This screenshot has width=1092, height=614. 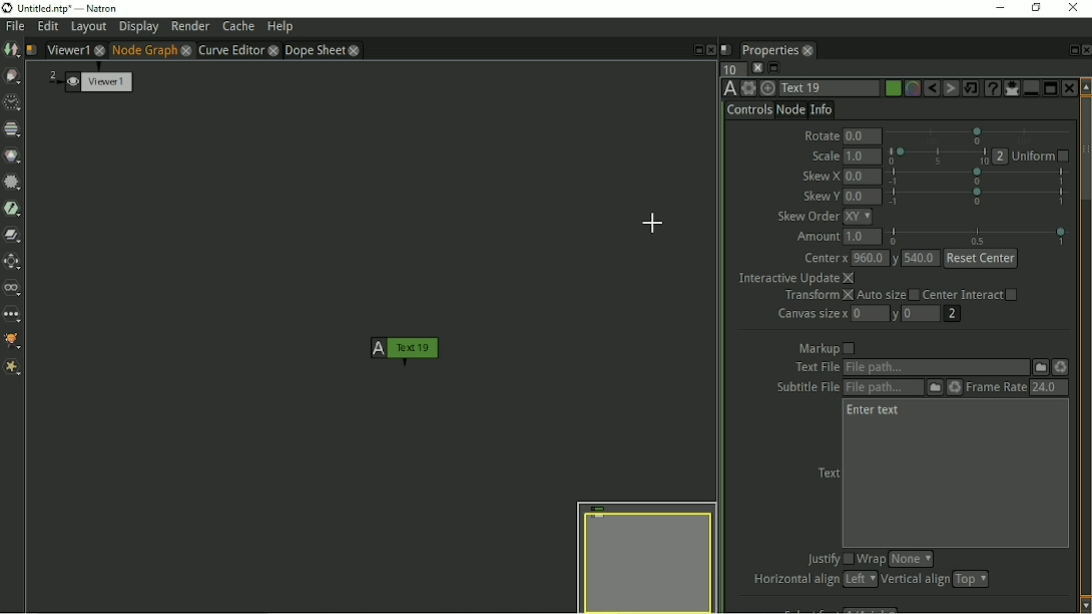 What do you see at coordinates (923, 258) in the screenshot?
I see `540` at bounding box center [923, 258].